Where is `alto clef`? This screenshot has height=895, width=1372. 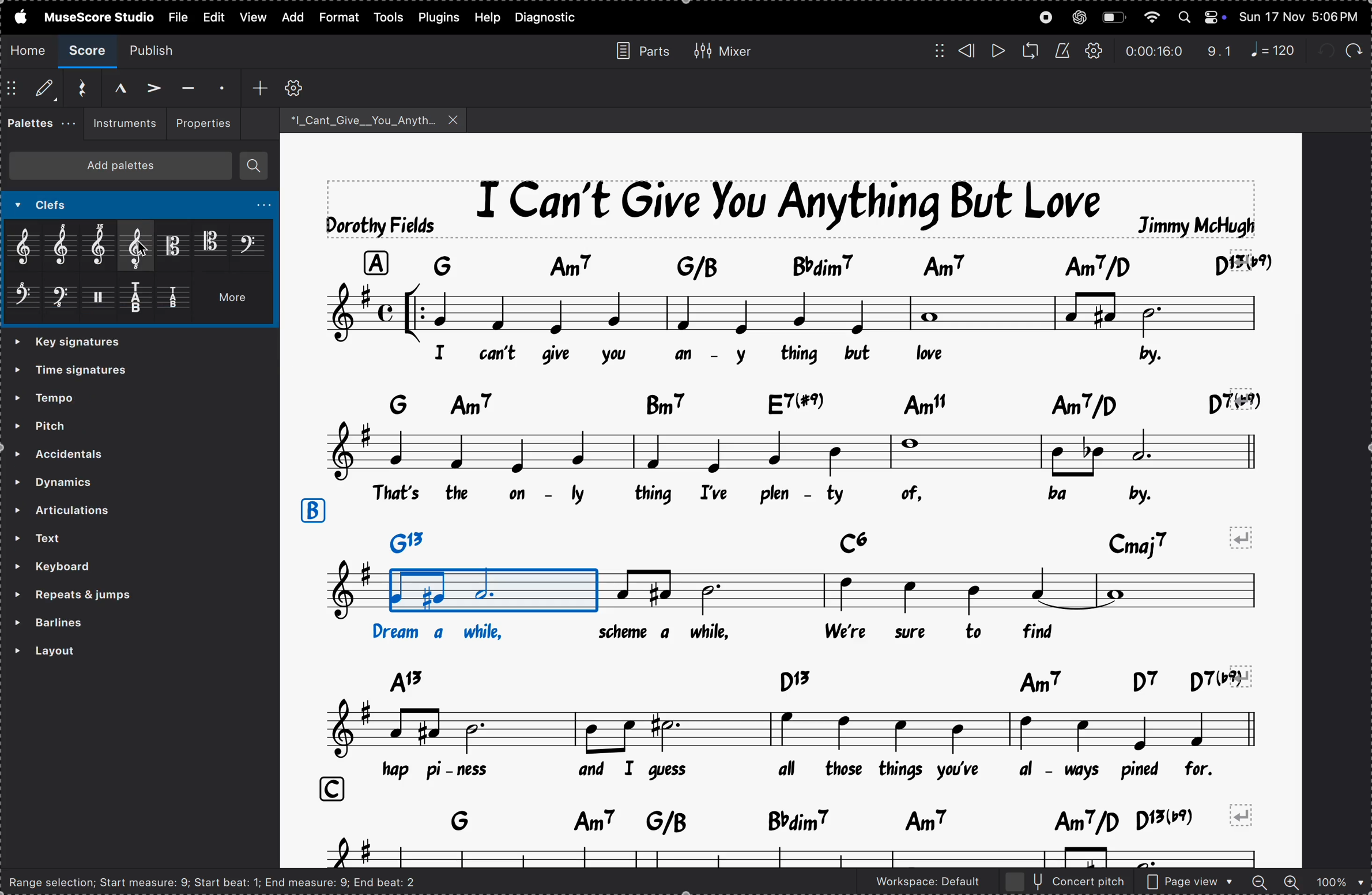 alto clef is located at coordinates (174, 245).